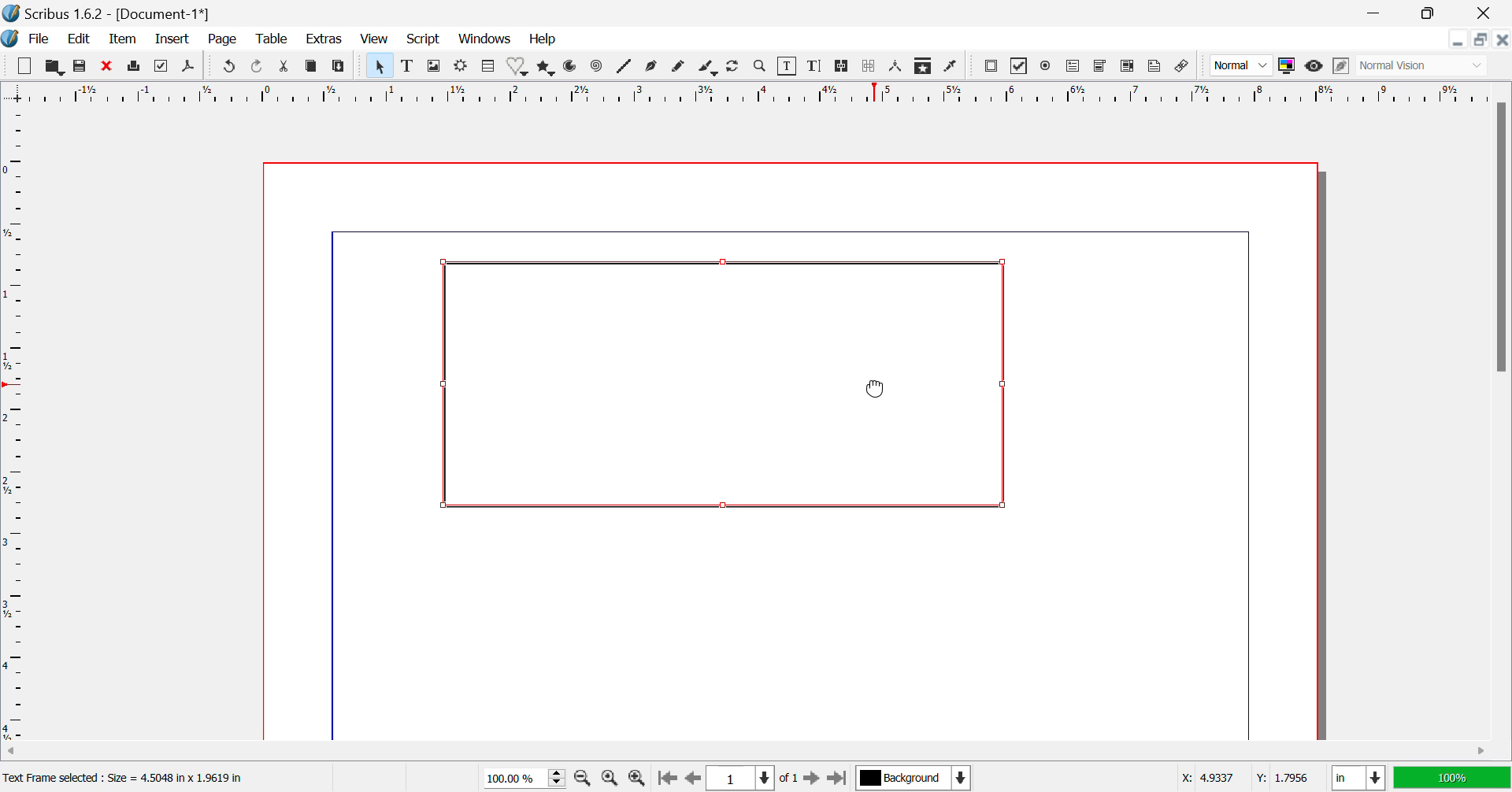 This screenshot has width=1512, height=792. Describe the element at coordinates (736, 68) in the screenshot. I see `Refresh` at that location.